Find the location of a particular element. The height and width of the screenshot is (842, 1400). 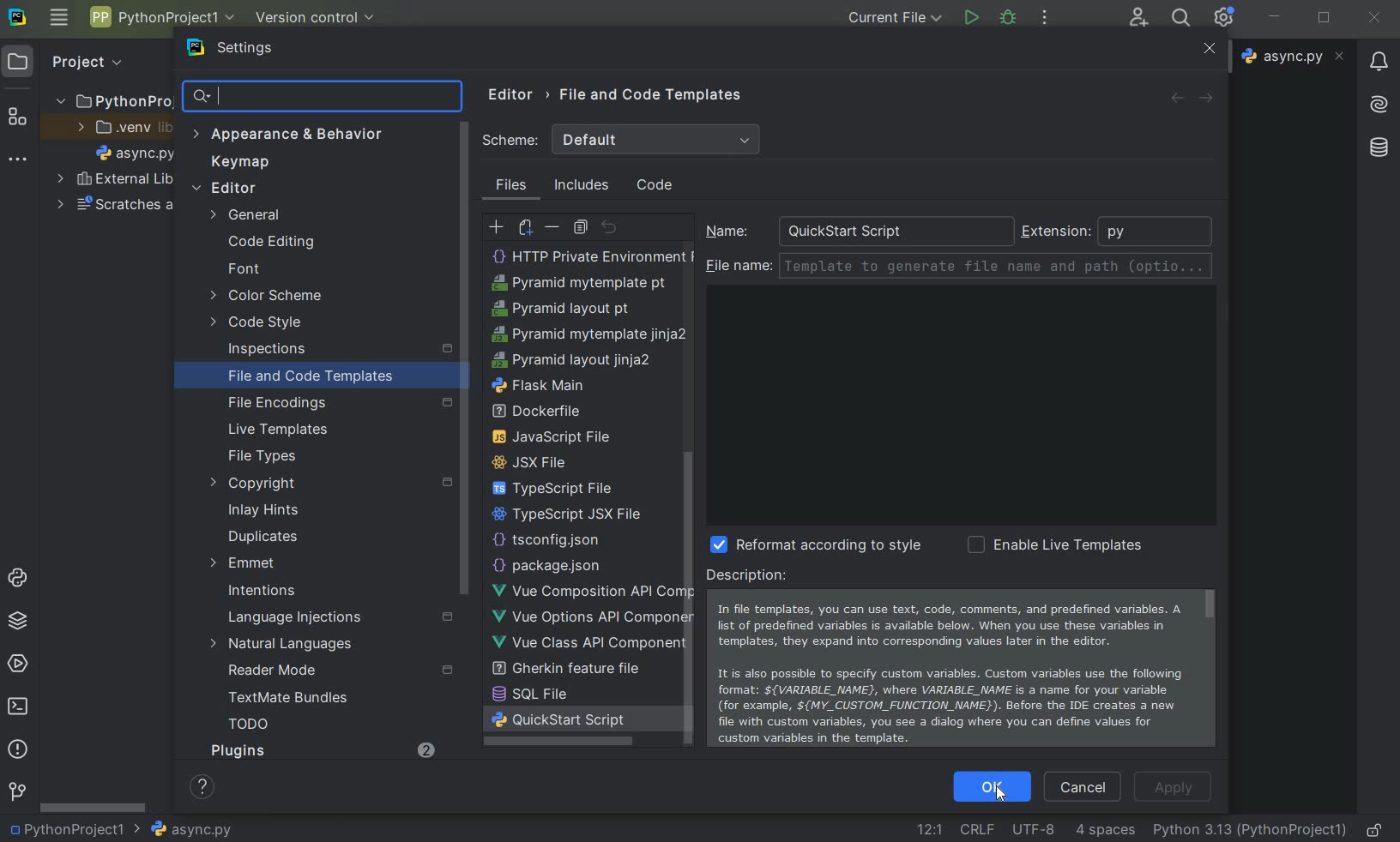

forward is located at coordinates (1206, 93).